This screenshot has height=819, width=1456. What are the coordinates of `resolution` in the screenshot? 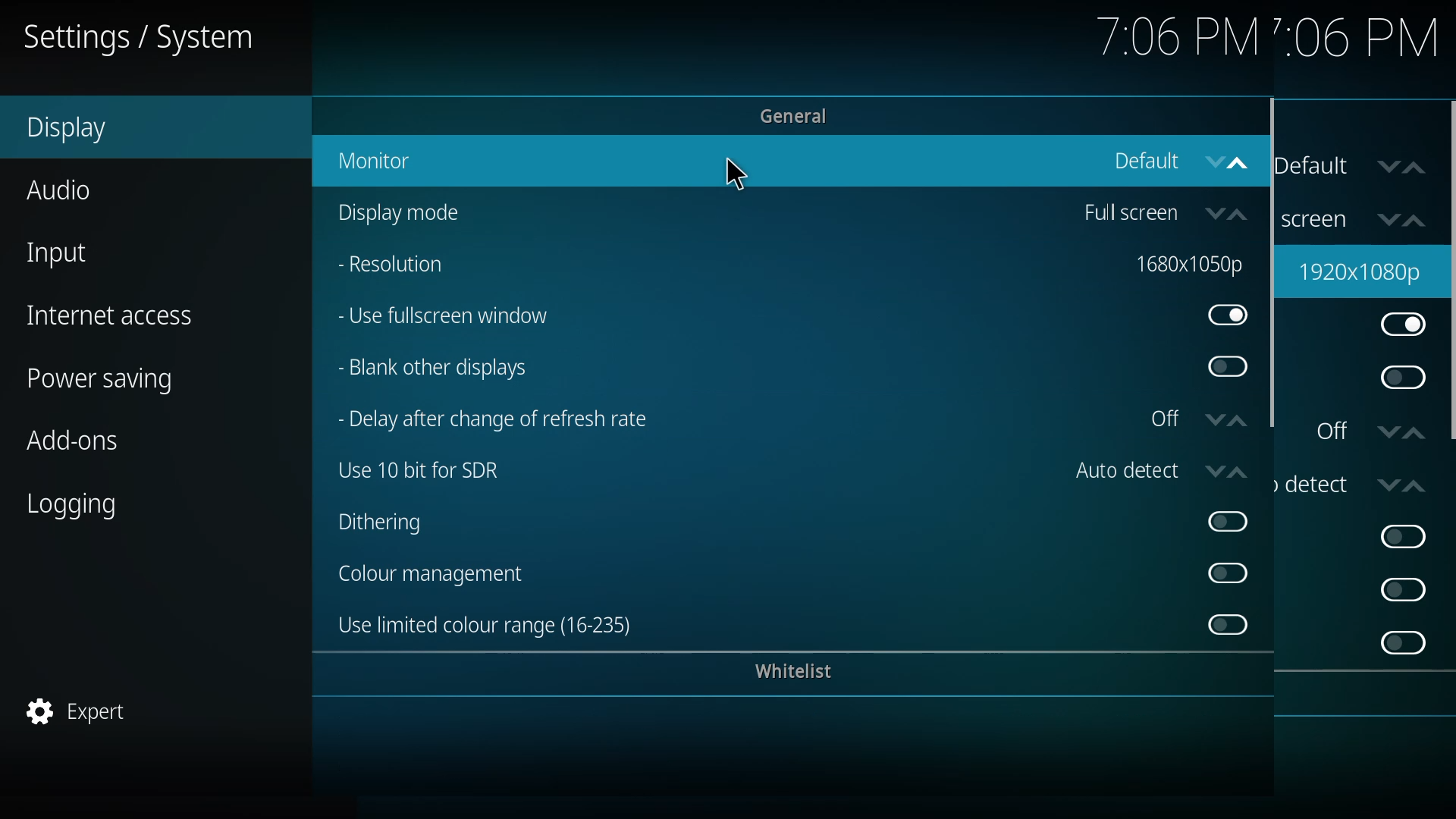 It's located at (406, 265).